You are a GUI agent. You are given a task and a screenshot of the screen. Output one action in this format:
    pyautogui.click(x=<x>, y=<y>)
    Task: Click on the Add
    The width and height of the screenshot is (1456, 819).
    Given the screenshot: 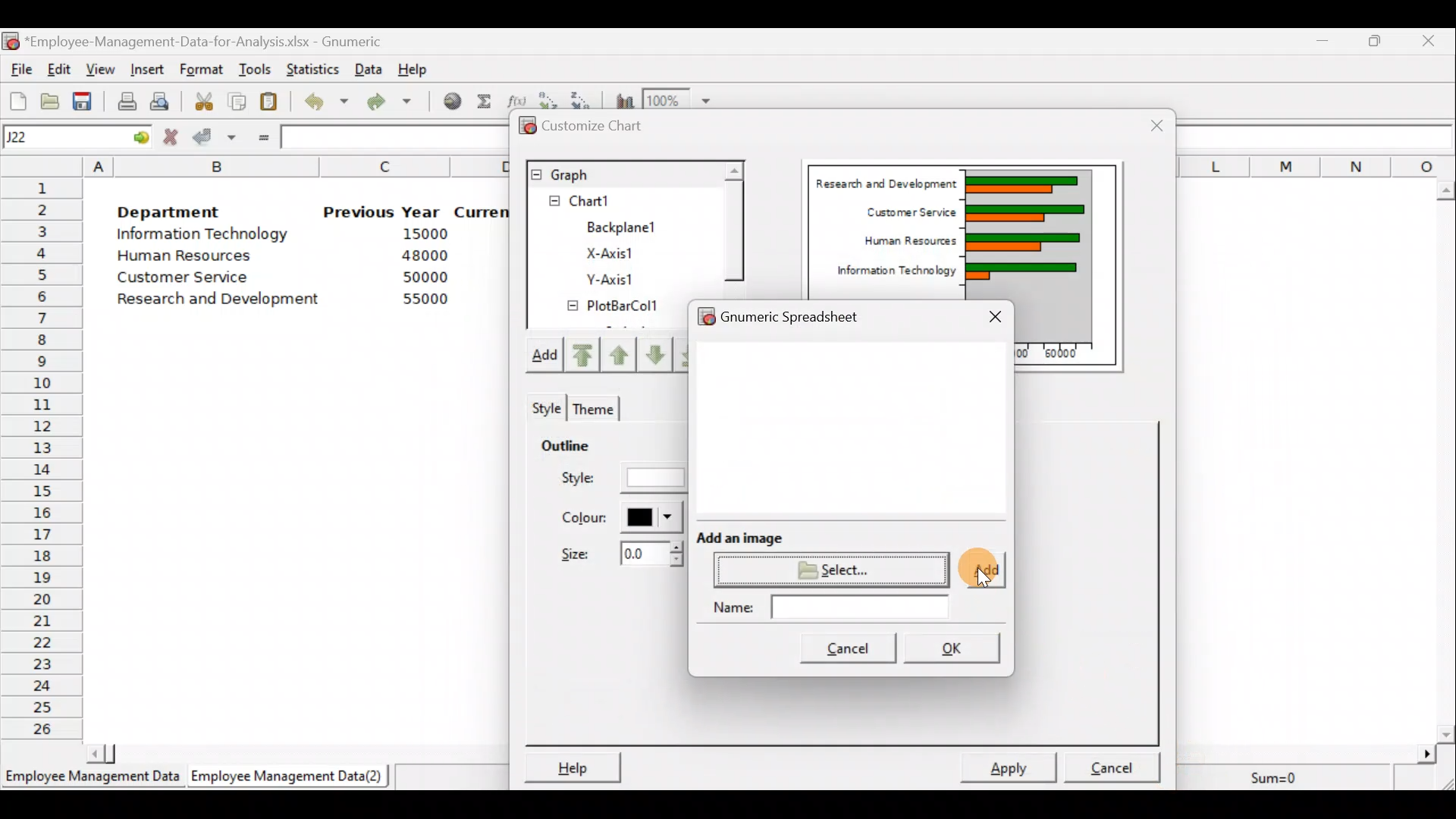 What is the action you would take?
    pyautogui.click(x=984, y=572)
    